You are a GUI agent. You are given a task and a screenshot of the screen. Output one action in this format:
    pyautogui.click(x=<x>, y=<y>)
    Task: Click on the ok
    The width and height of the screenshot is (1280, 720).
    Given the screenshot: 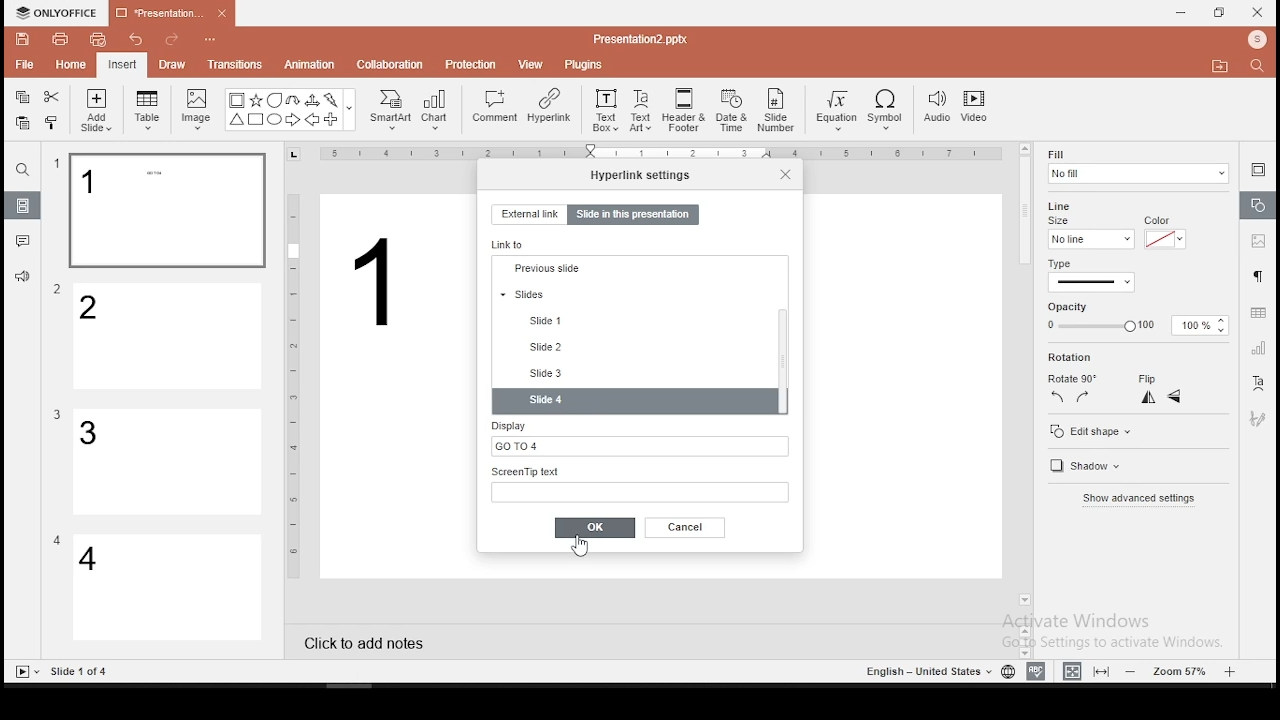 What is the action you would take?
    pyautogui.click(x=595, y=527)
    